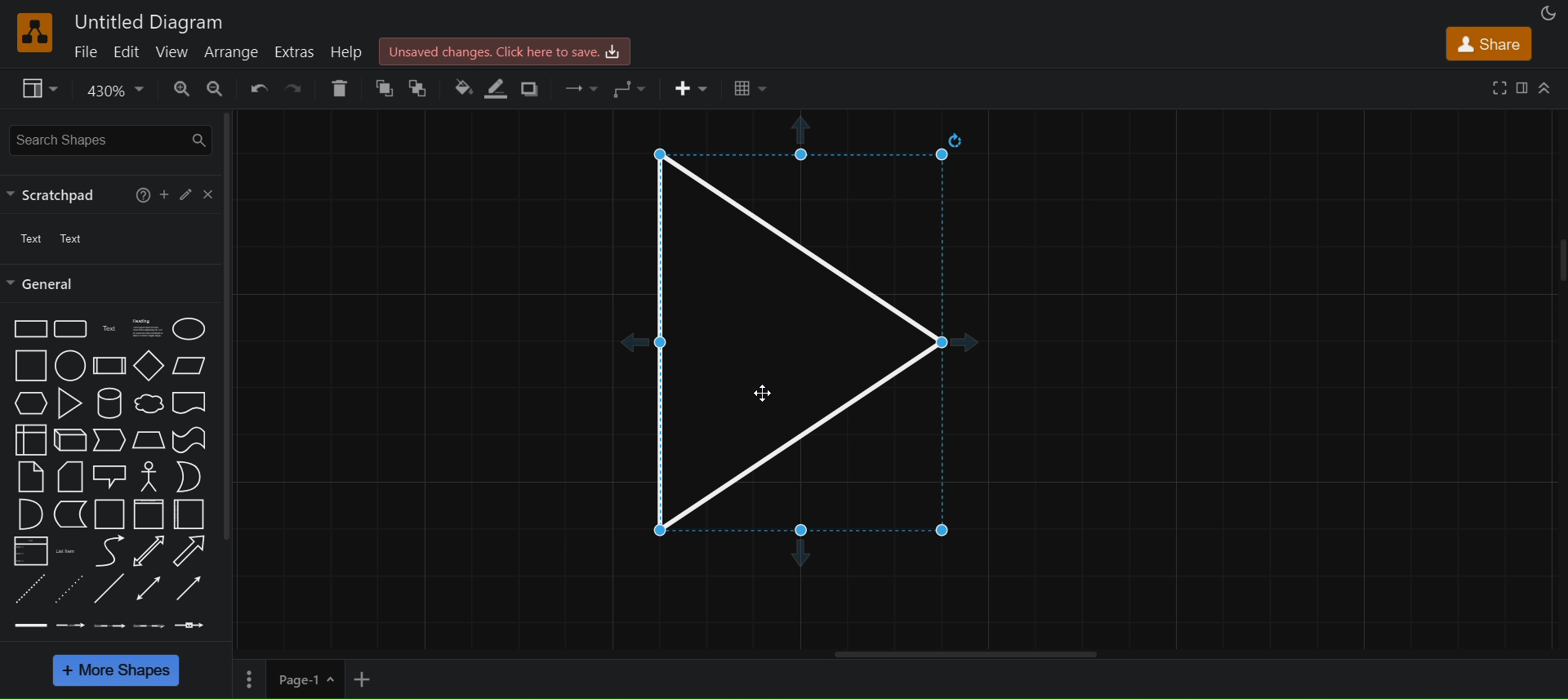 The width and height of the screenshot is (1568, 699). Describe the element at coordinates (581, 85) in the screenshot. I see `connection` at that location.